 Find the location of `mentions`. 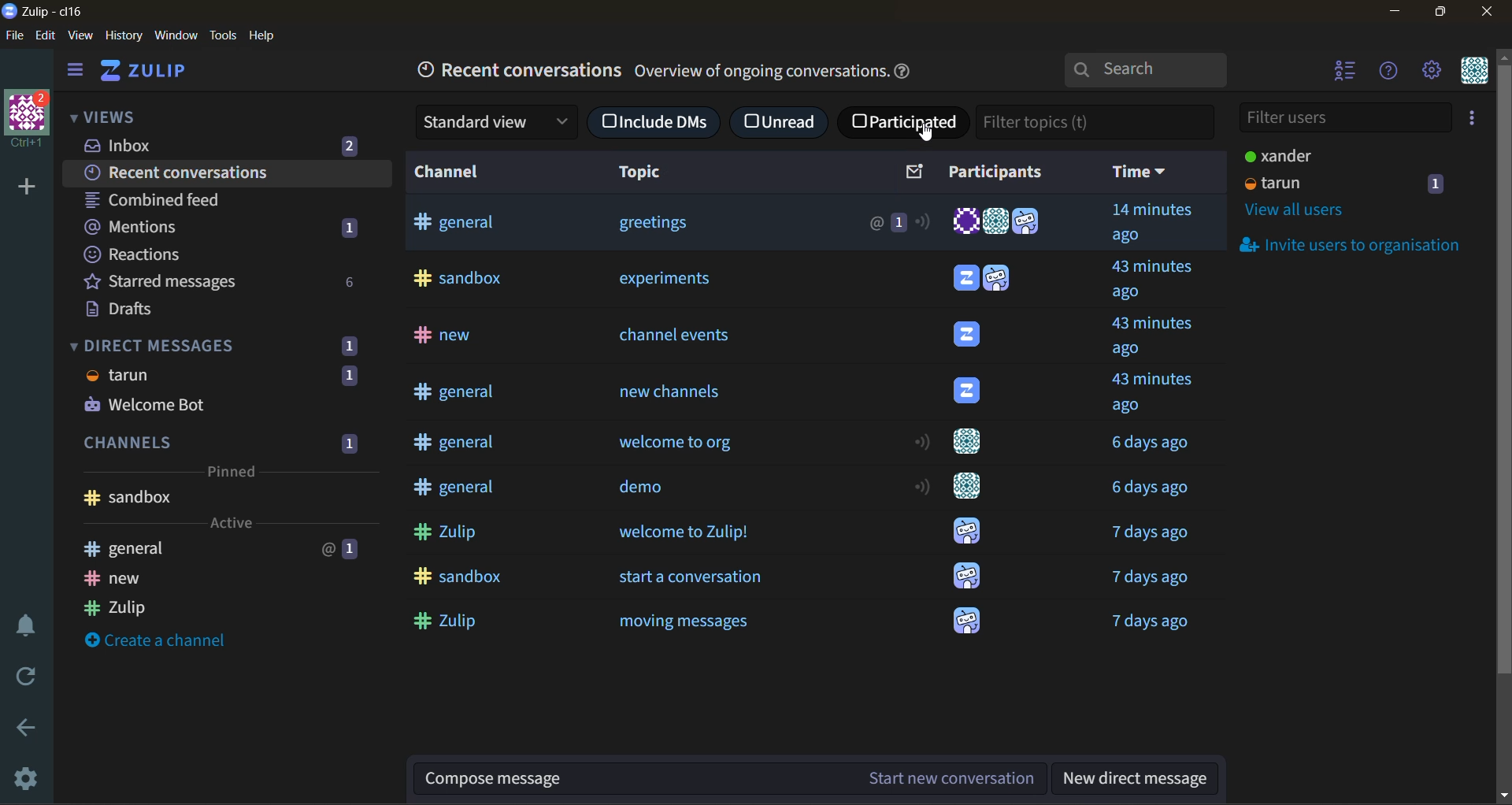

mentions is located at coordinates (227, 227).